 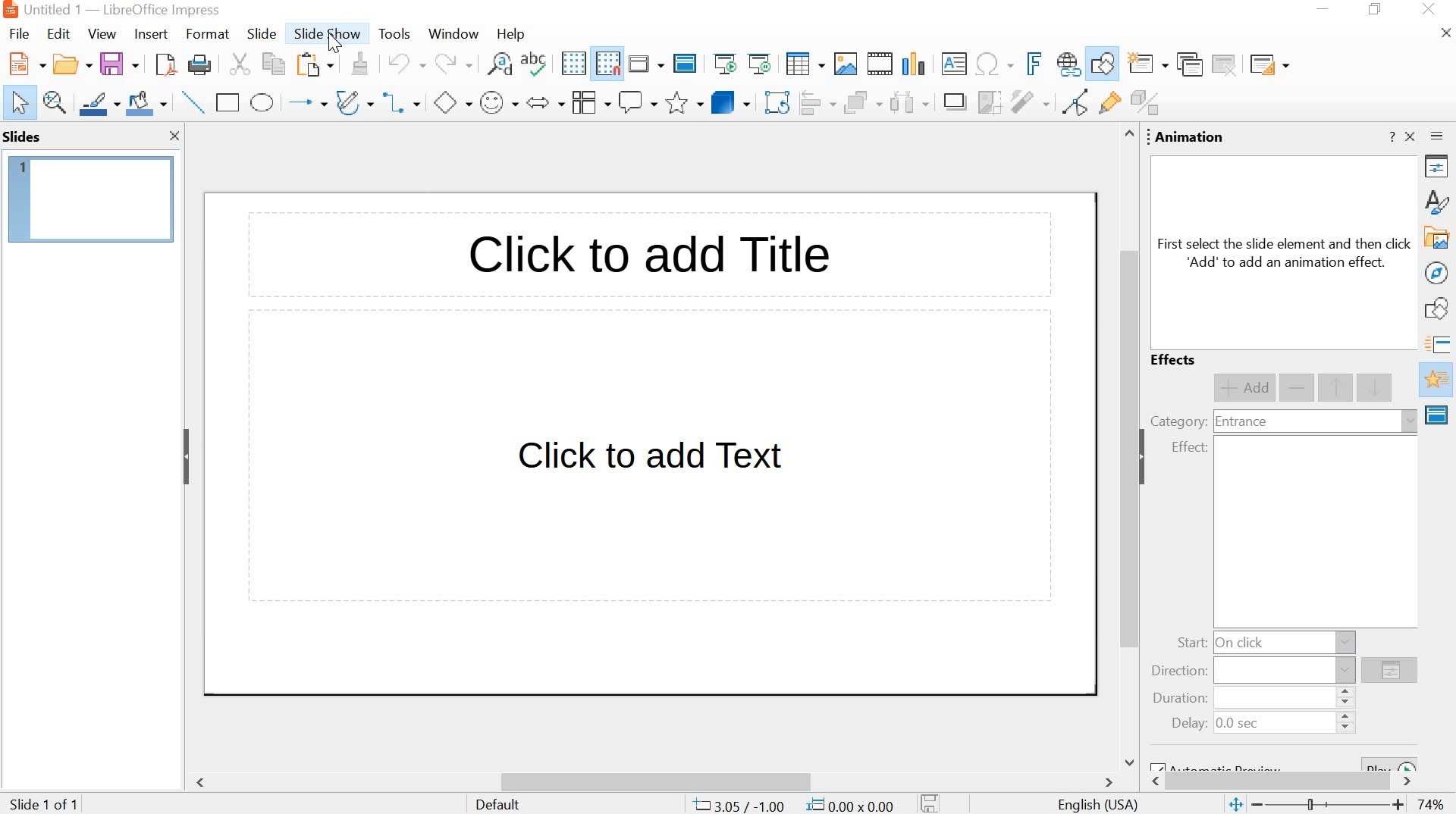 What do you see at coordinates (880, 64) in the screenshot?
I see `insert video` at bounding box center [880, 64].